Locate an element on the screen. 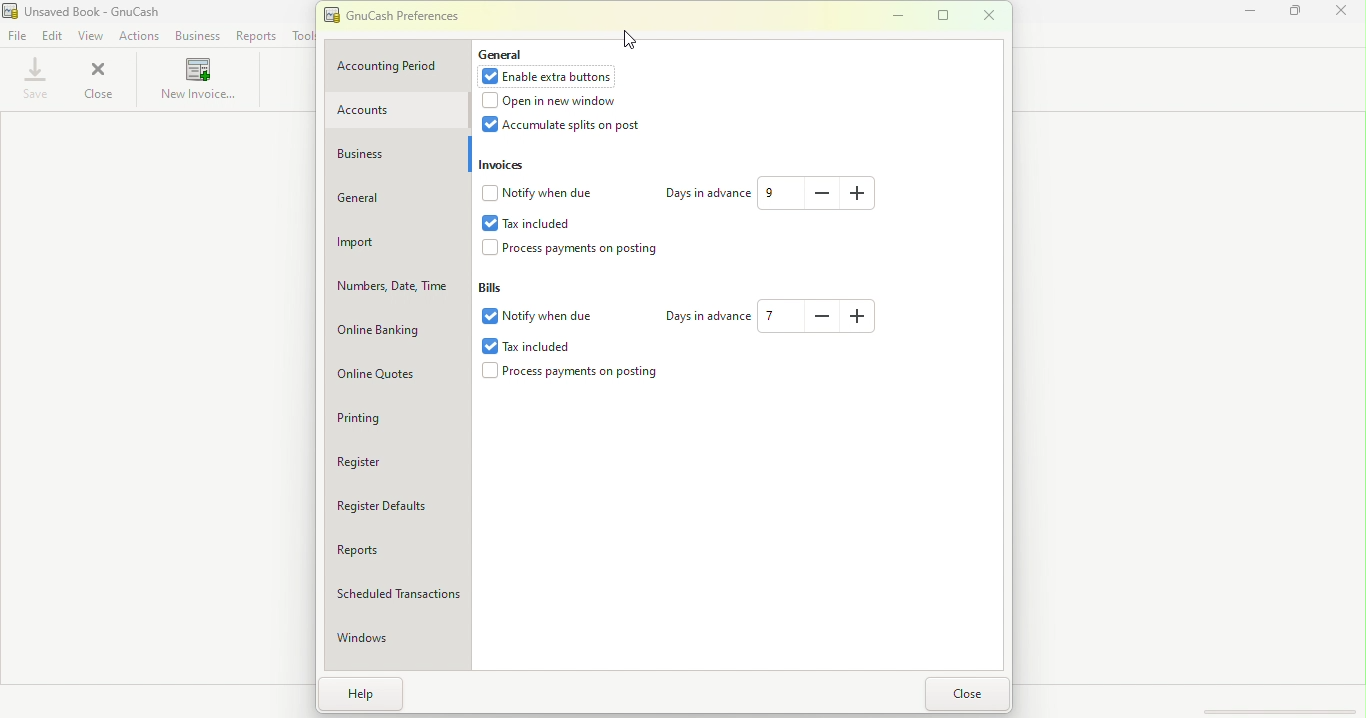 The image size is (1366, 718). File is located at coordinates (18, 38).